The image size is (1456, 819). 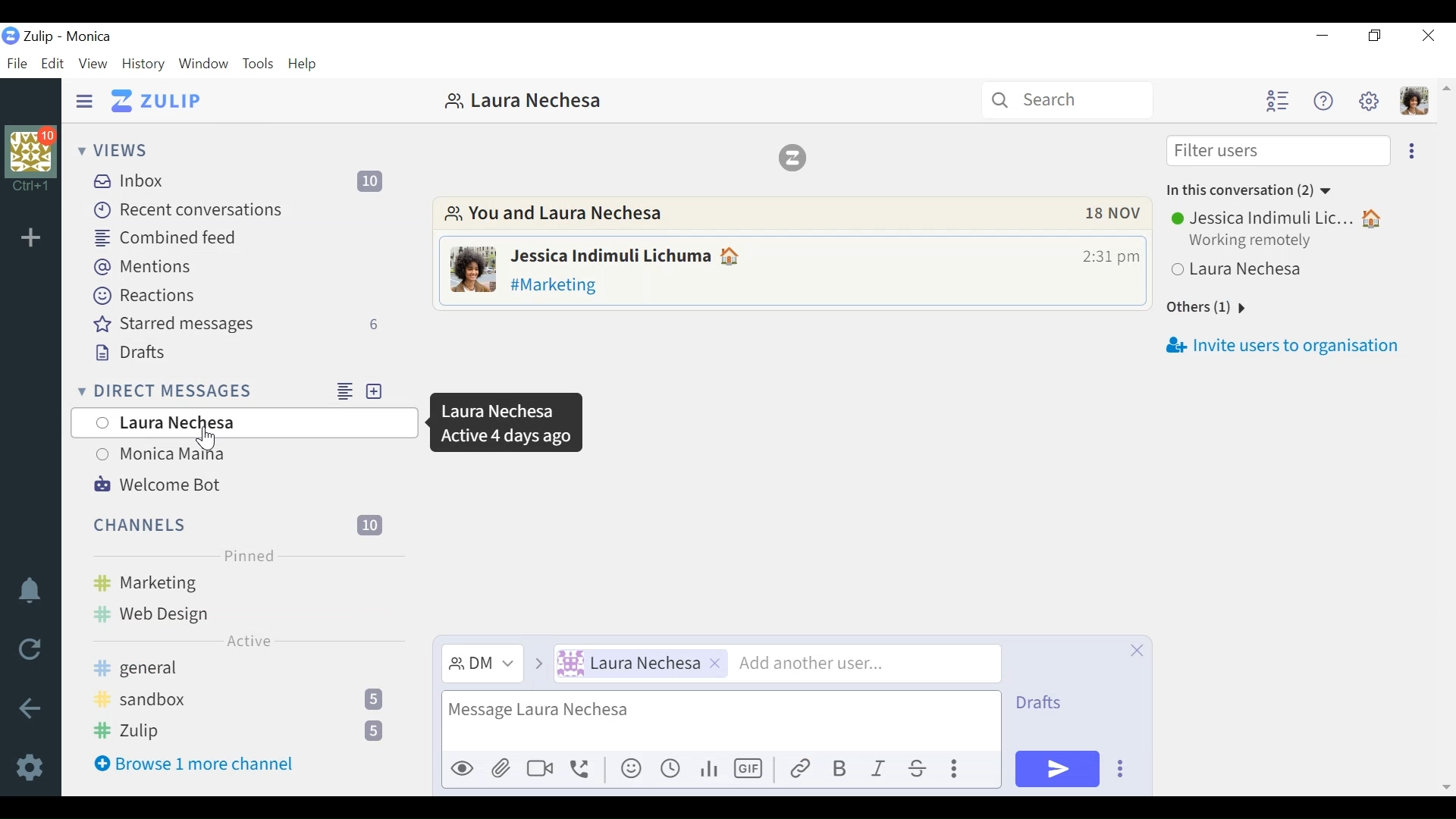 What do you see at coordinates (918, 768) in the screenshot?
I see `Strikethrough` at bounding box center [918, 768].